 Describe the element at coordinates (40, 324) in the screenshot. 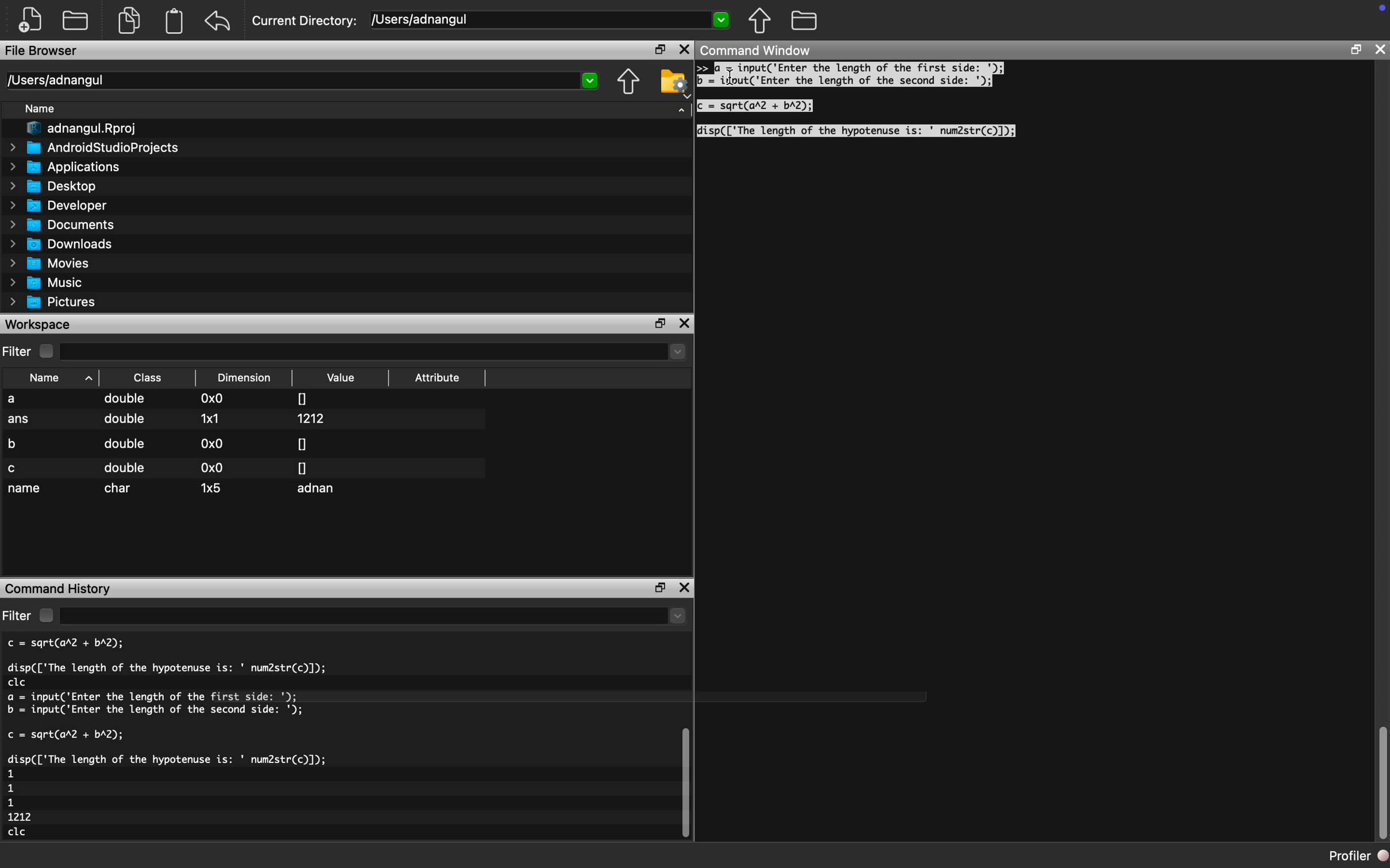

I see `Workspace` at that location.